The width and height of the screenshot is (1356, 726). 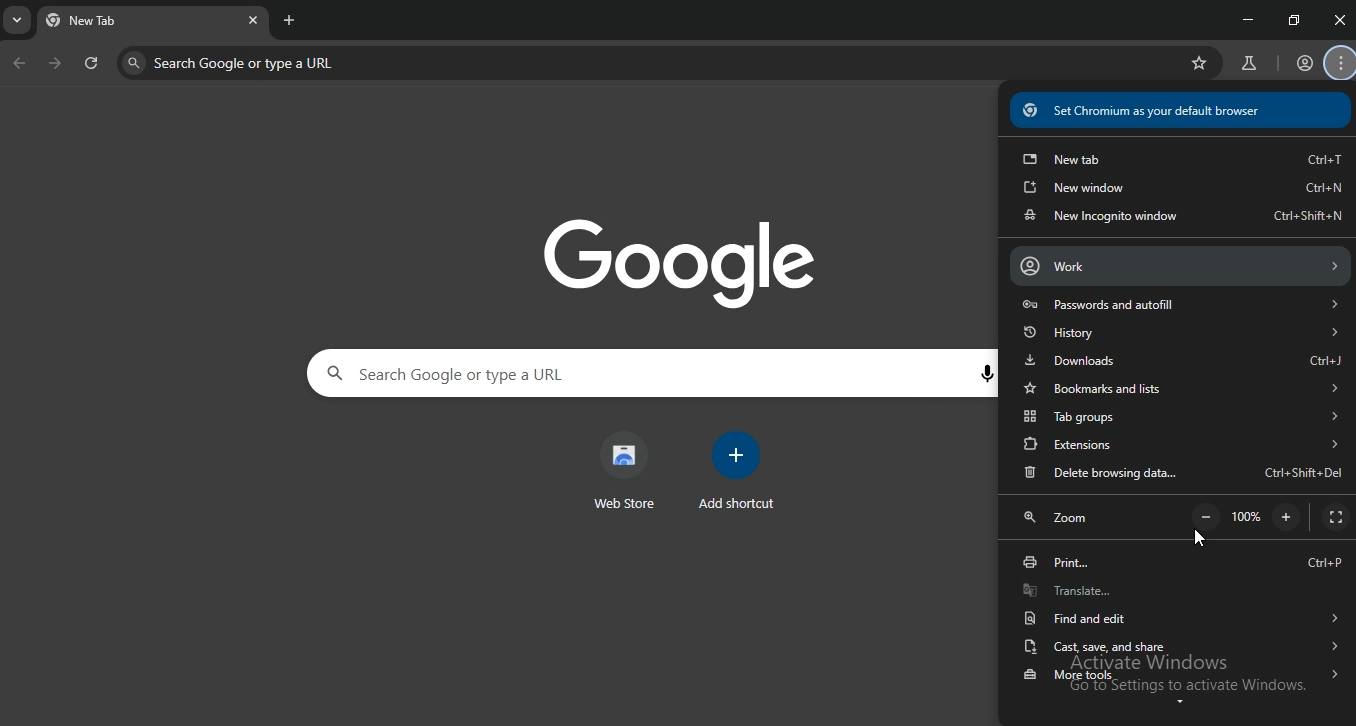 What do you see at coordinates (1244, 18) in the screenshot?
I see `minimize` at bounding box center [1244, 18].